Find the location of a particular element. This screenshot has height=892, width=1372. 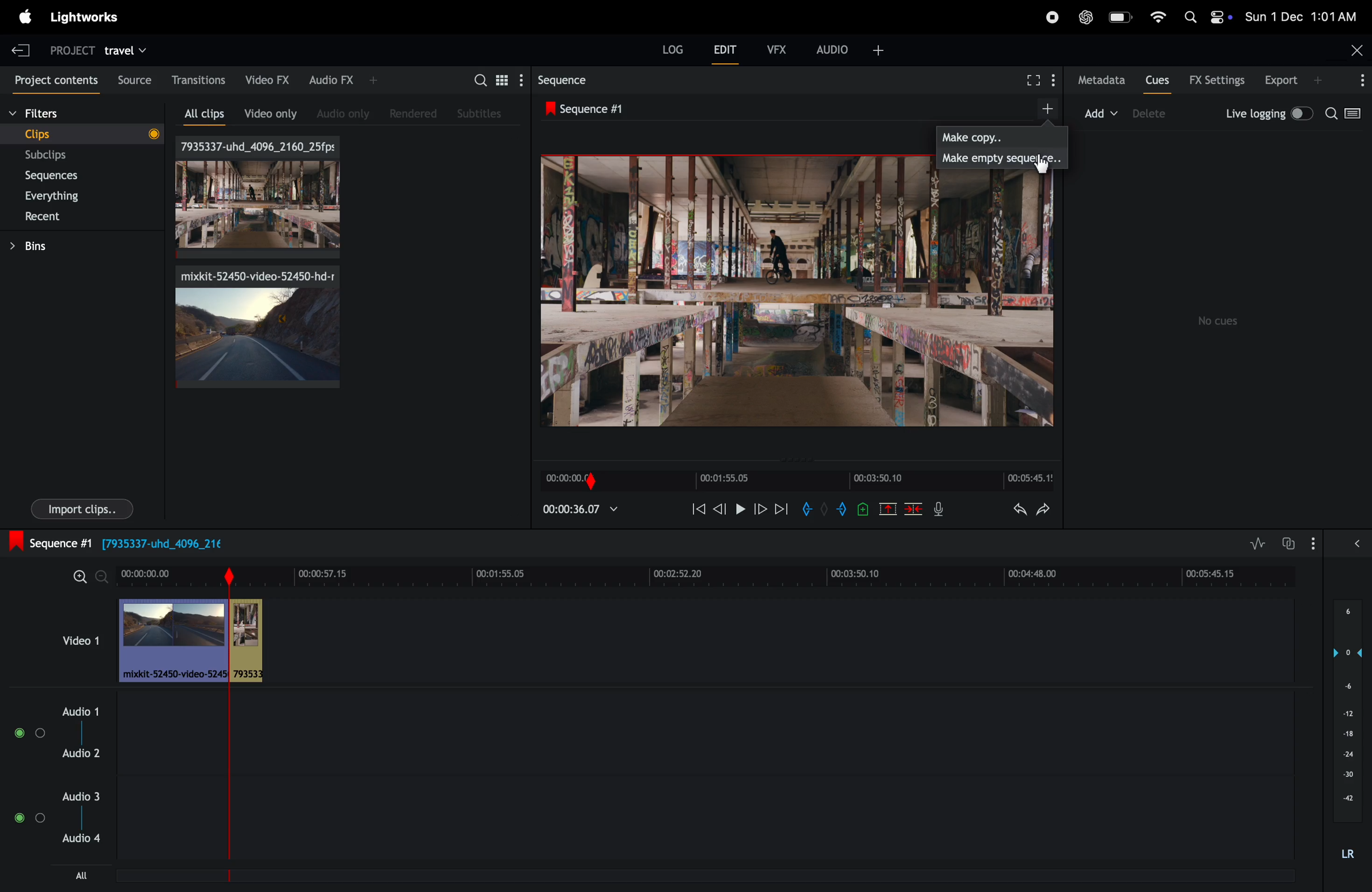

cursor is located at coordinates (1041, 165).